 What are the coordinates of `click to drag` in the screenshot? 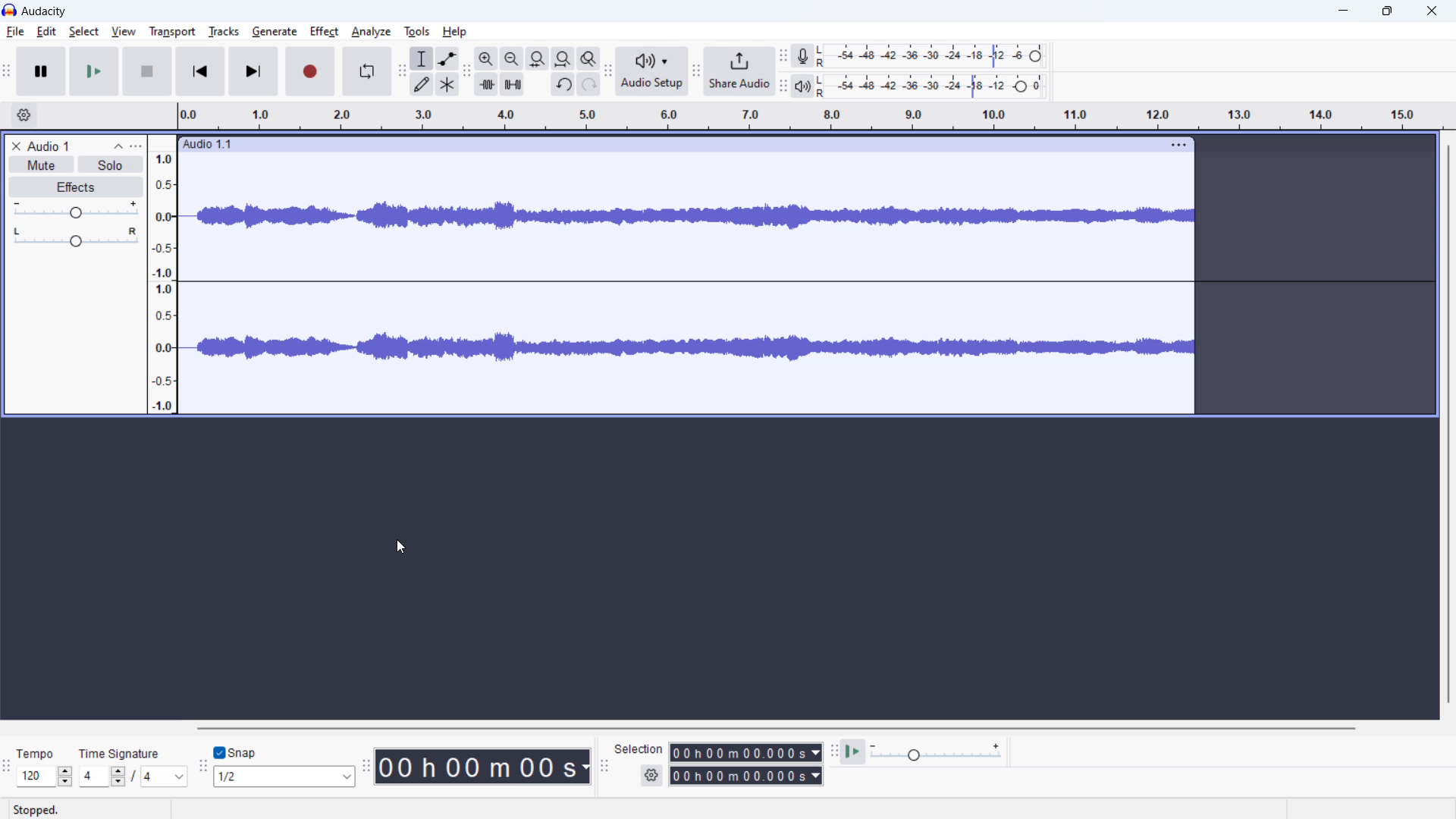 It's located at (670, 143).